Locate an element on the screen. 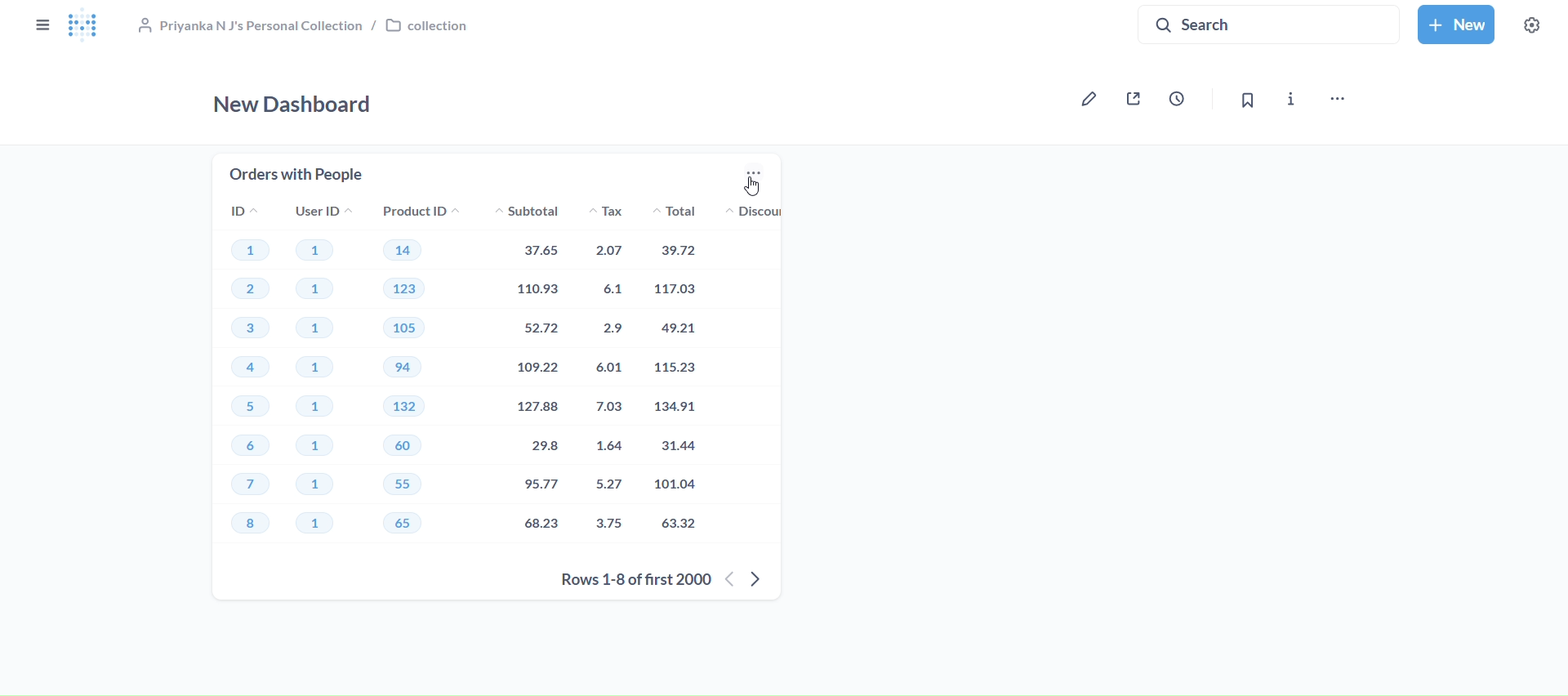  discount is located at coordinates (761, 212).